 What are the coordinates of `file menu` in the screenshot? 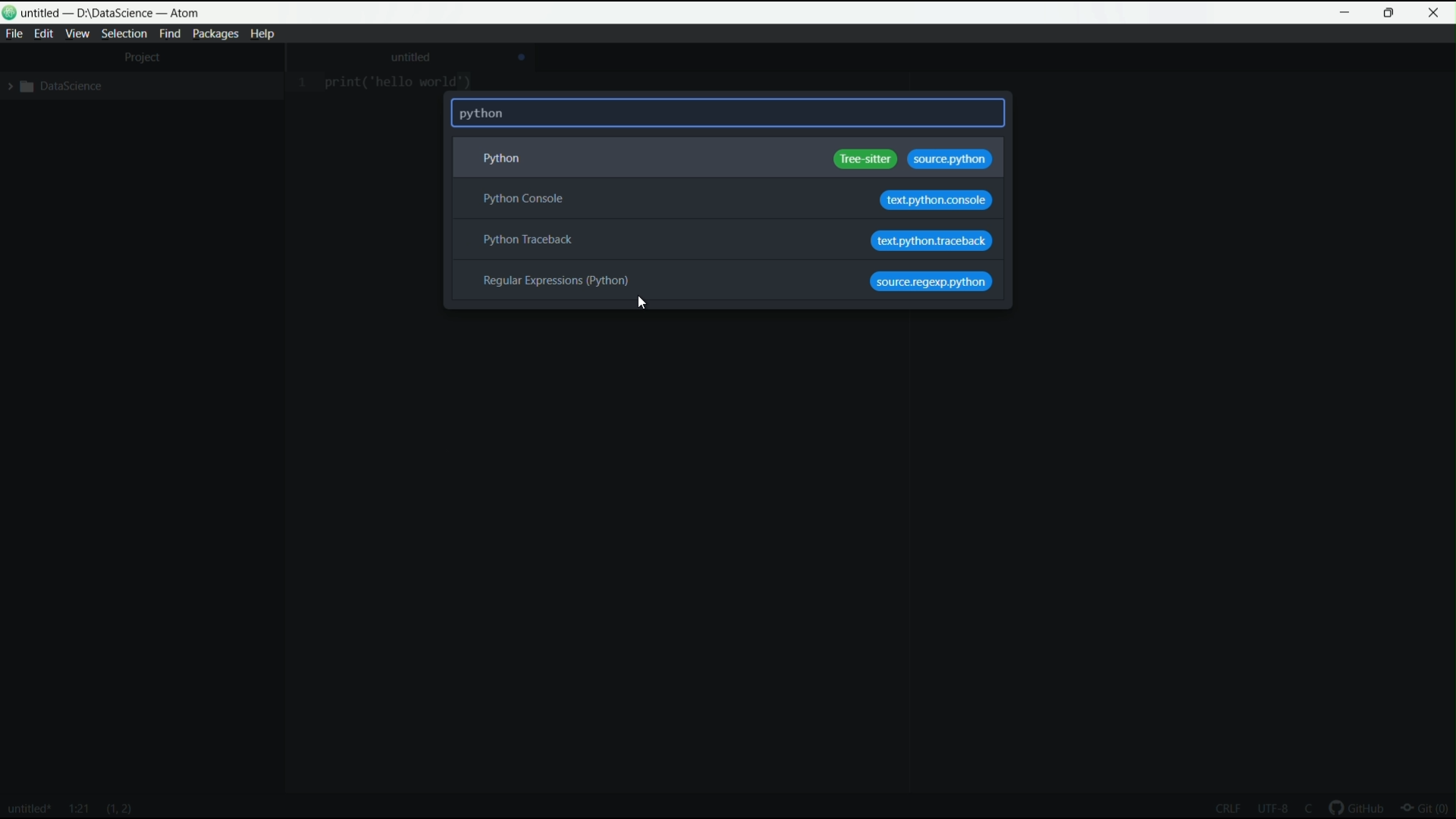 It's located at (14, 34).